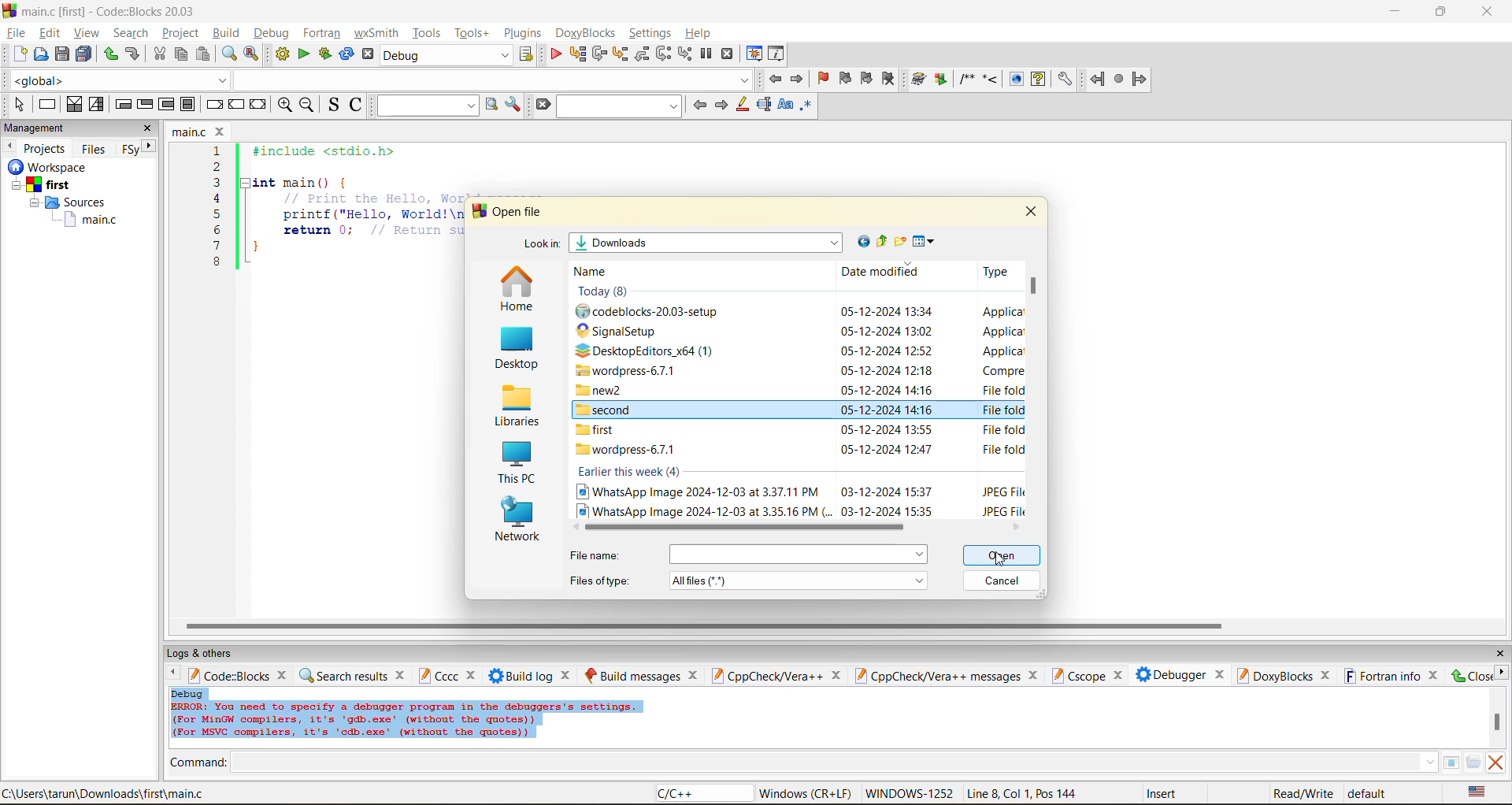 Image resolution: width=1512 pixels, height=805 pixels. Describe the element at coordinates (1002, 409) in the screenshot. I see `type` at that location.